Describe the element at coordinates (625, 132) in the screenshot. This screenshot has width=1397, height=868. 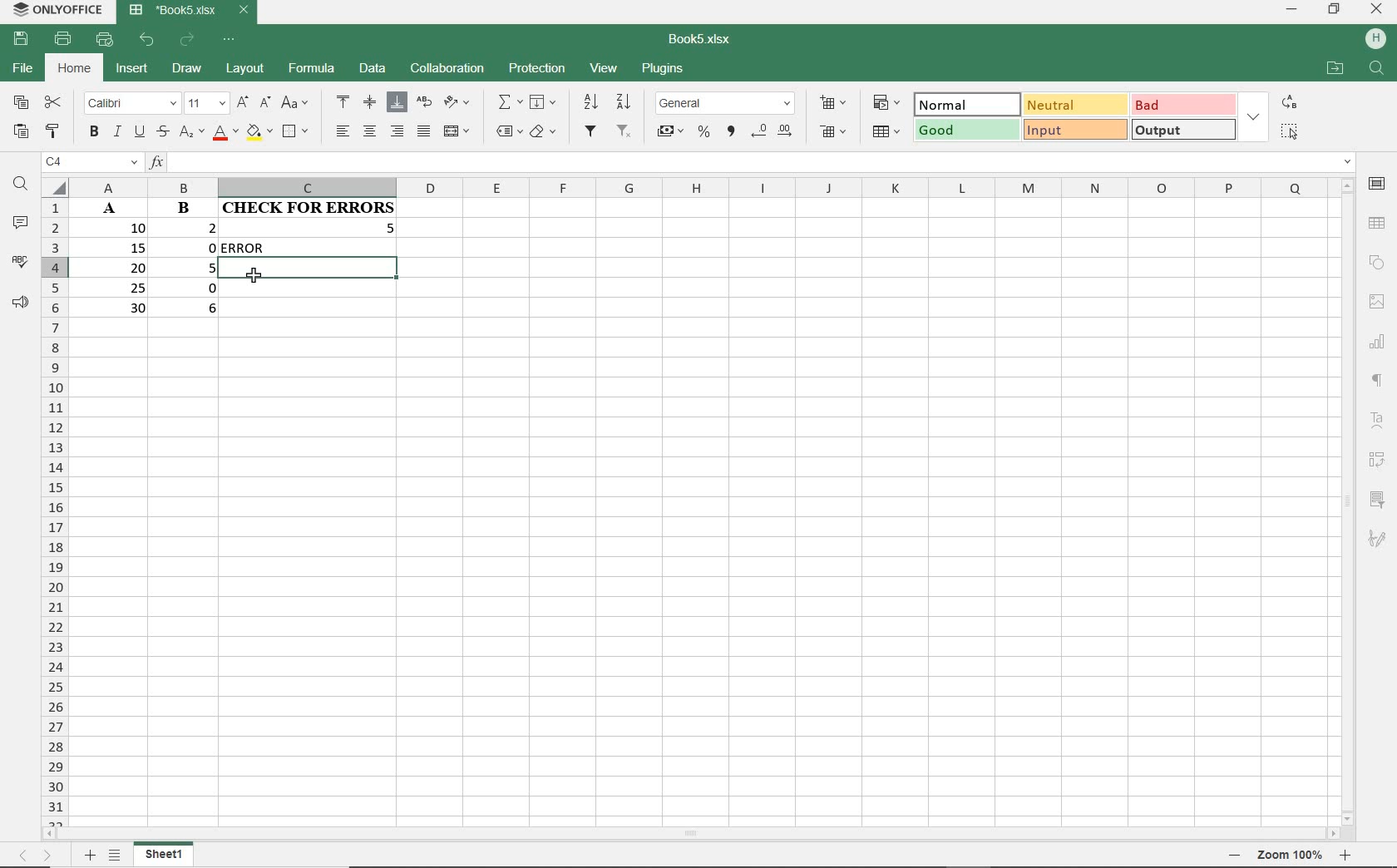
I see `REMOVE FILTERS` at that location.